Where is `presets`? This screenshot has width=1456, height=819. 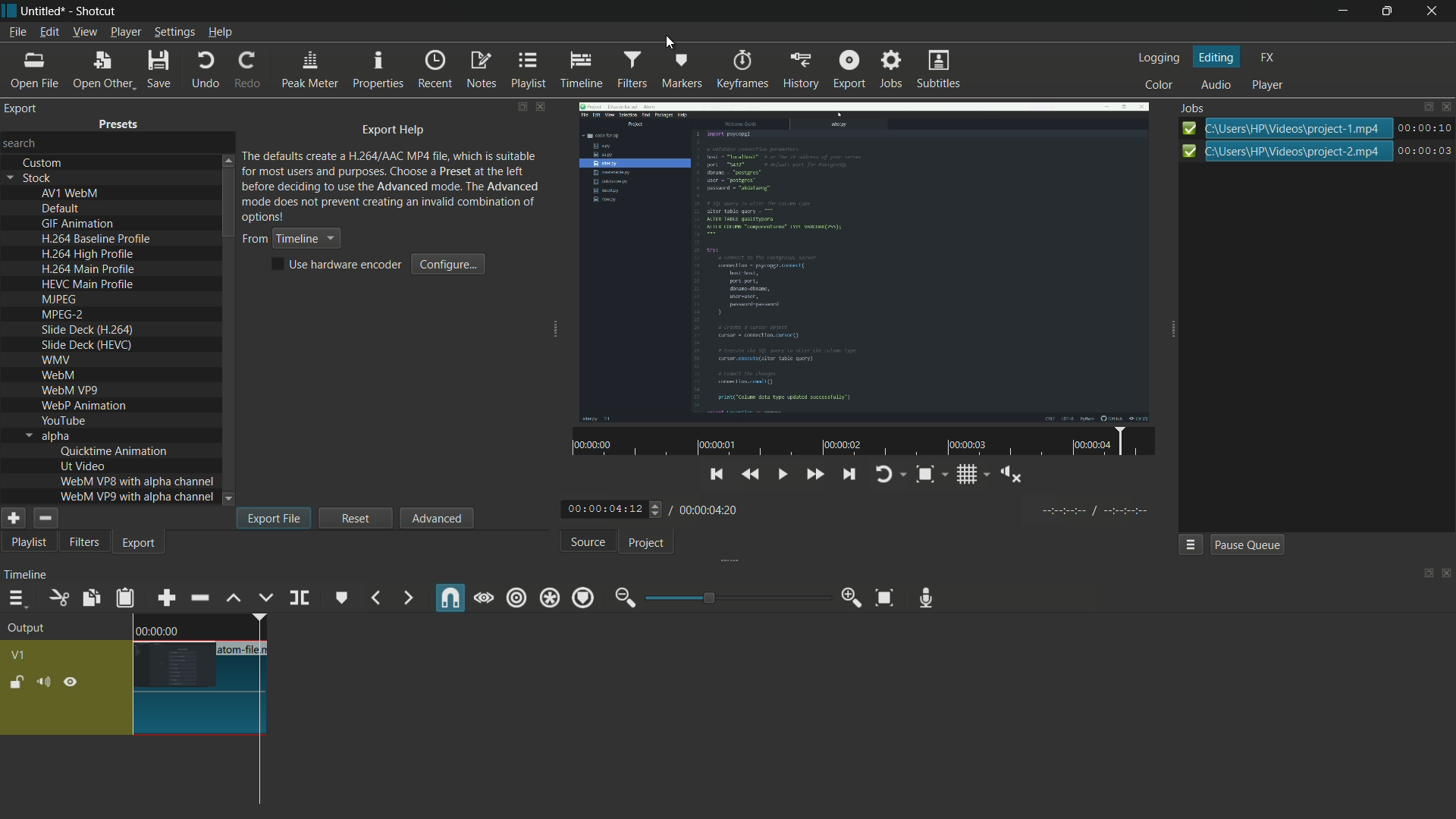
presets is located at coordinates (119, 127).